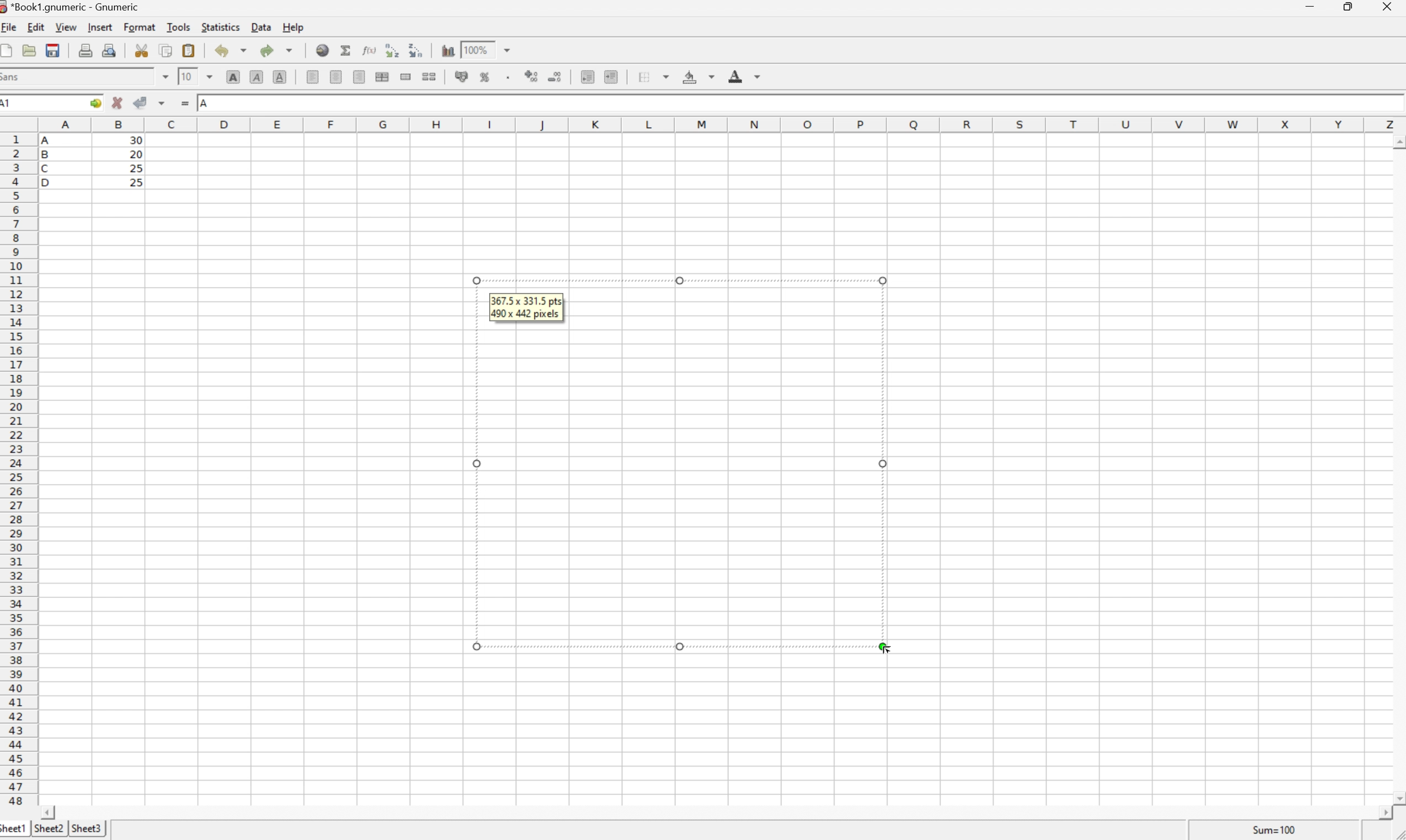 Image resolution: width=1406 pixels, height=840 pixels. What do you see at coordinates (50, 138) in the screenshot?
I see `A` at bounding box center [50, 138].